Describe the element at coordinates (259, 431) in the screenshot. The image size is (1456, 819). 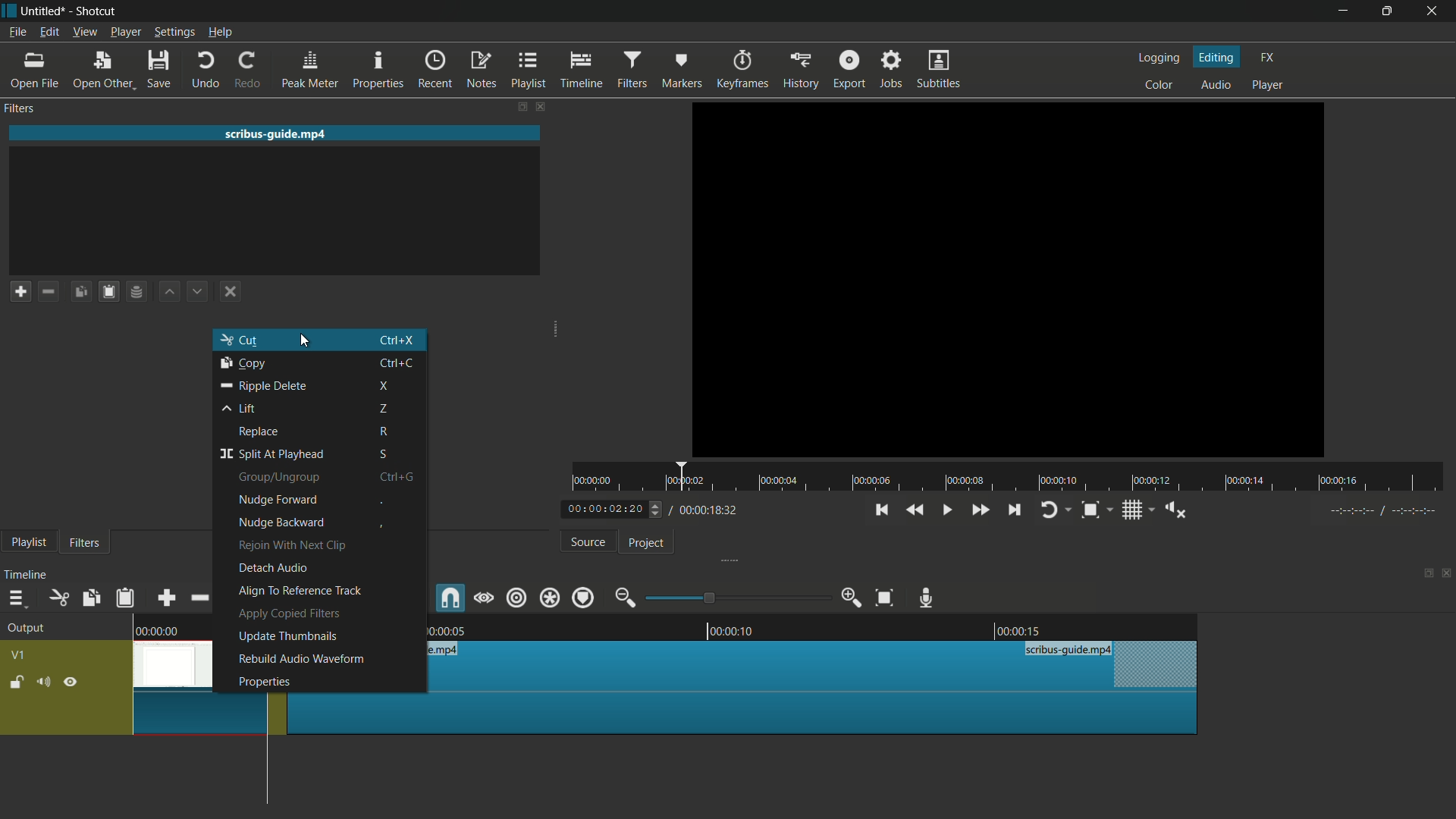
I see `replace` at that location.